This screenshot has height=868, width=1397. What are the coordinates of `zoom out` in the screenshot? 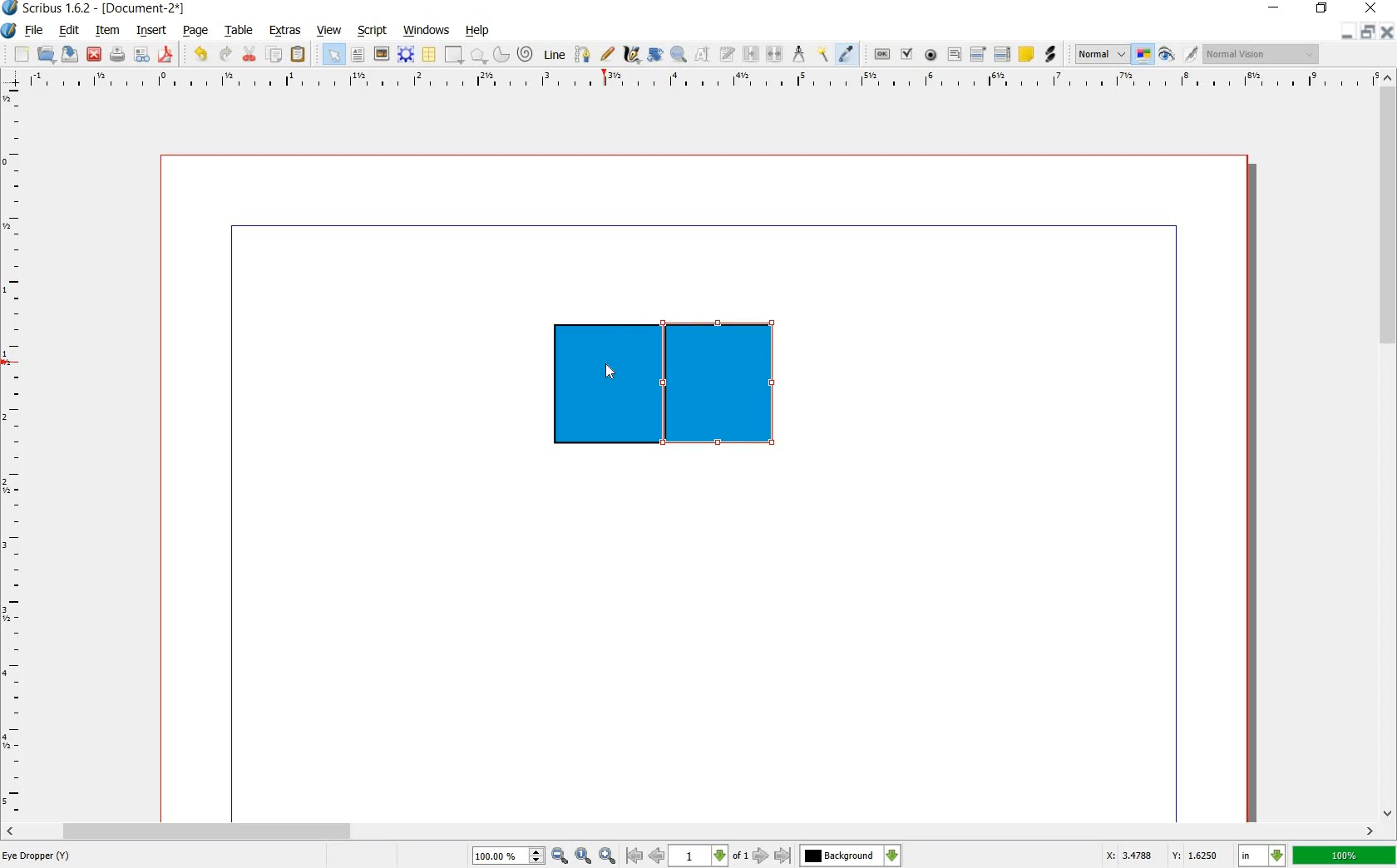 It's located at (560, 854).